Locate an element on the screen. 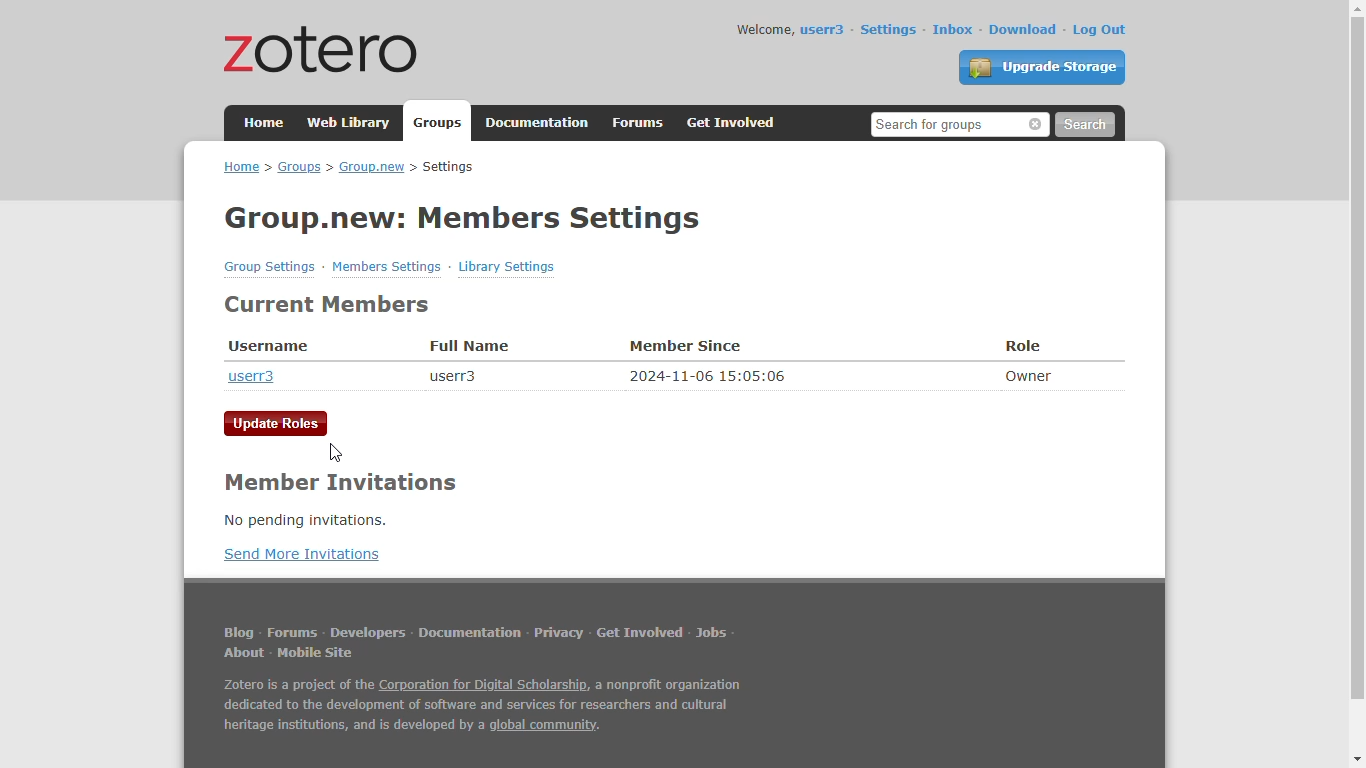  mobile site is located at coordinates (314, 653).